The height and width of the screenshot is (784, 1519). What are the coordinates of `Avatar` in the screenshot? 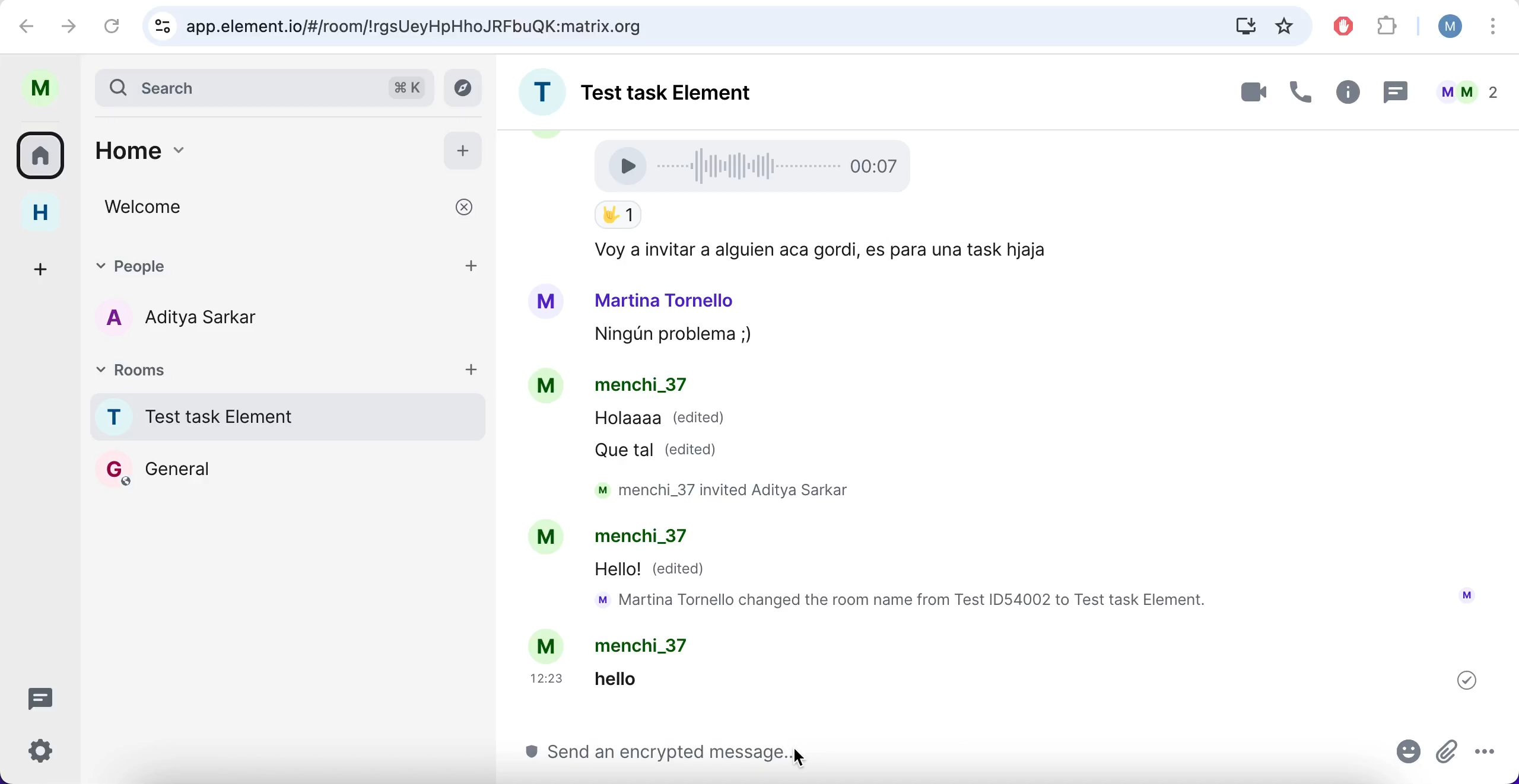 It's located at (546, 302).